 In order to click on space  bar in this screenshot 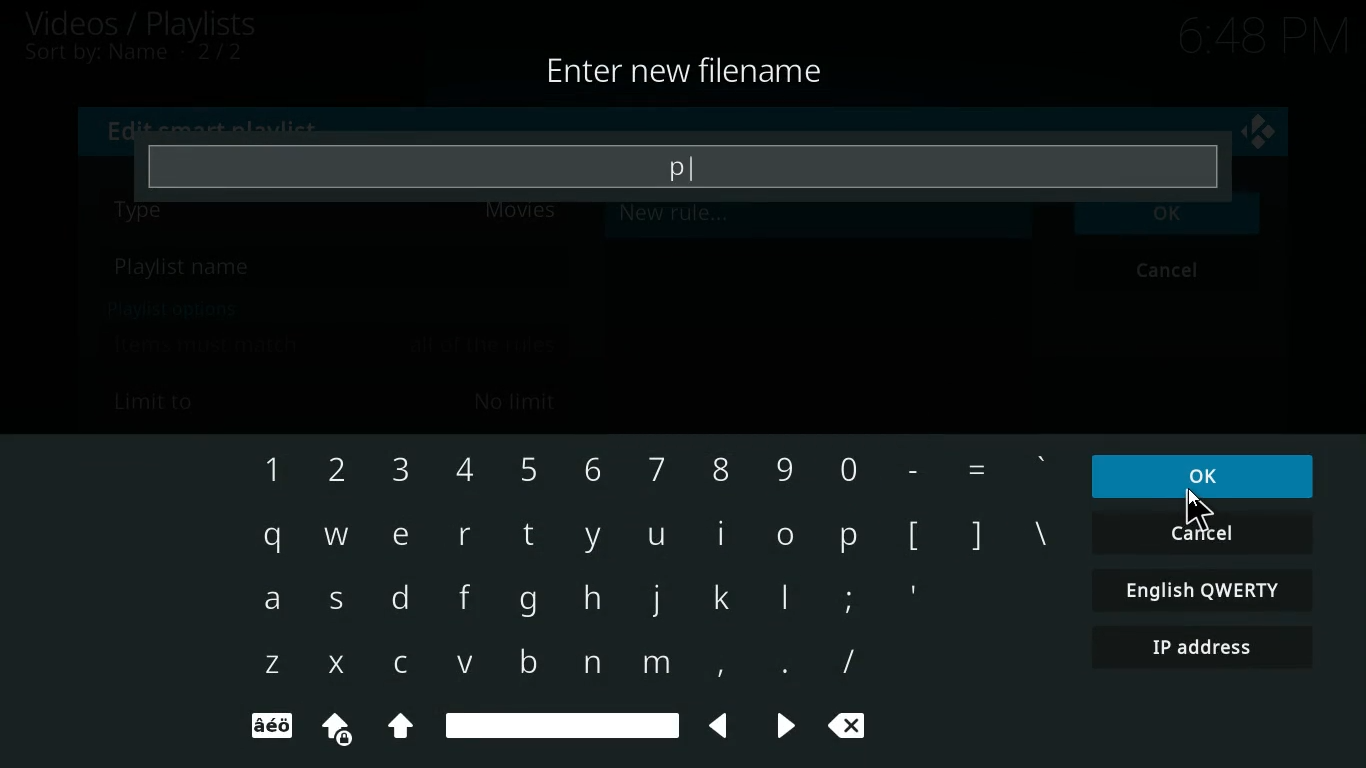, I will do `click(562, 723)`.